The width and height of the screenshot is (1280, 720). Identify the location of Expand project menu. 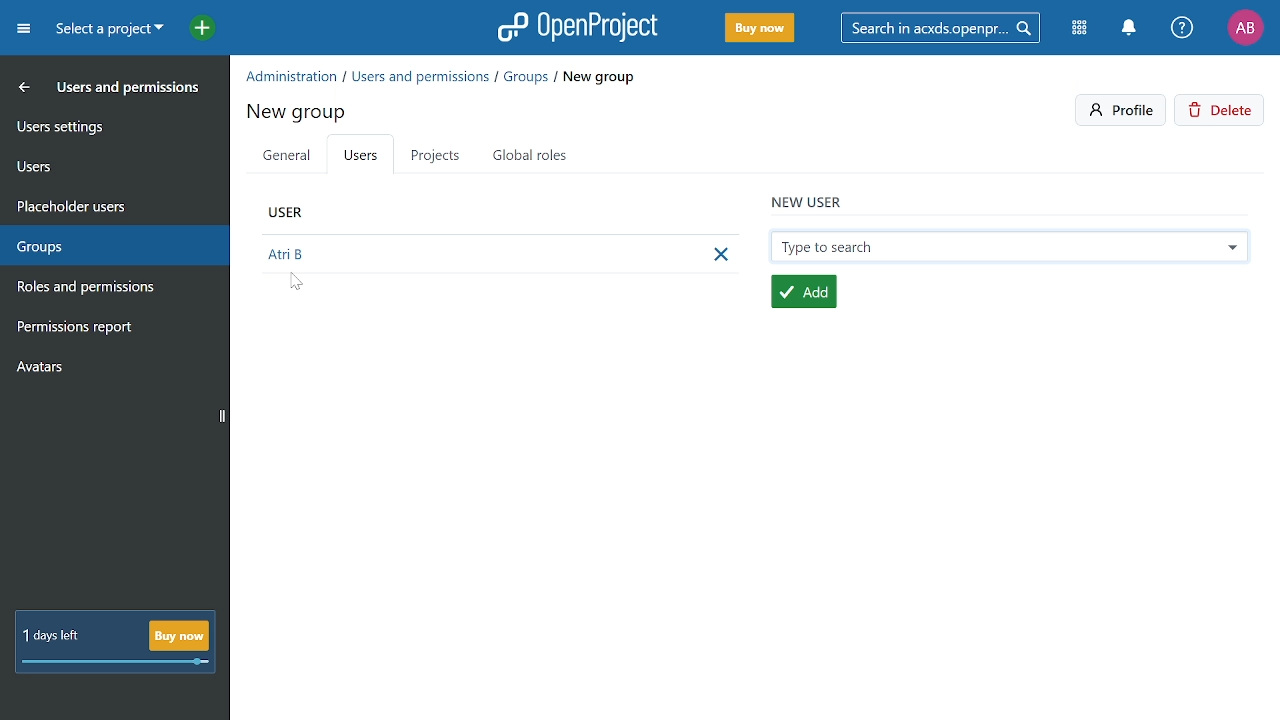
(23, 28).